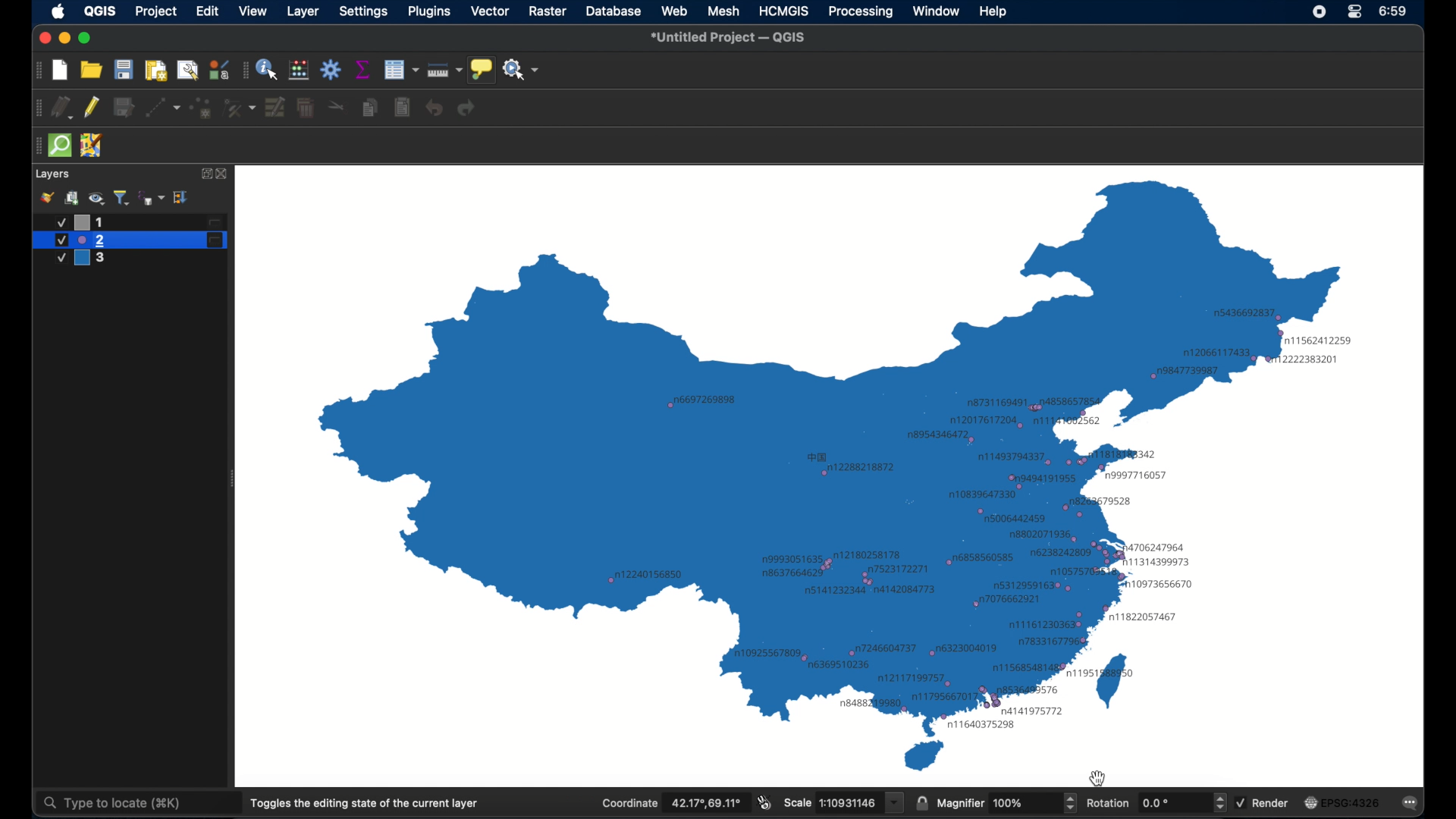  I want to click on show map tips, so click(482, 70).